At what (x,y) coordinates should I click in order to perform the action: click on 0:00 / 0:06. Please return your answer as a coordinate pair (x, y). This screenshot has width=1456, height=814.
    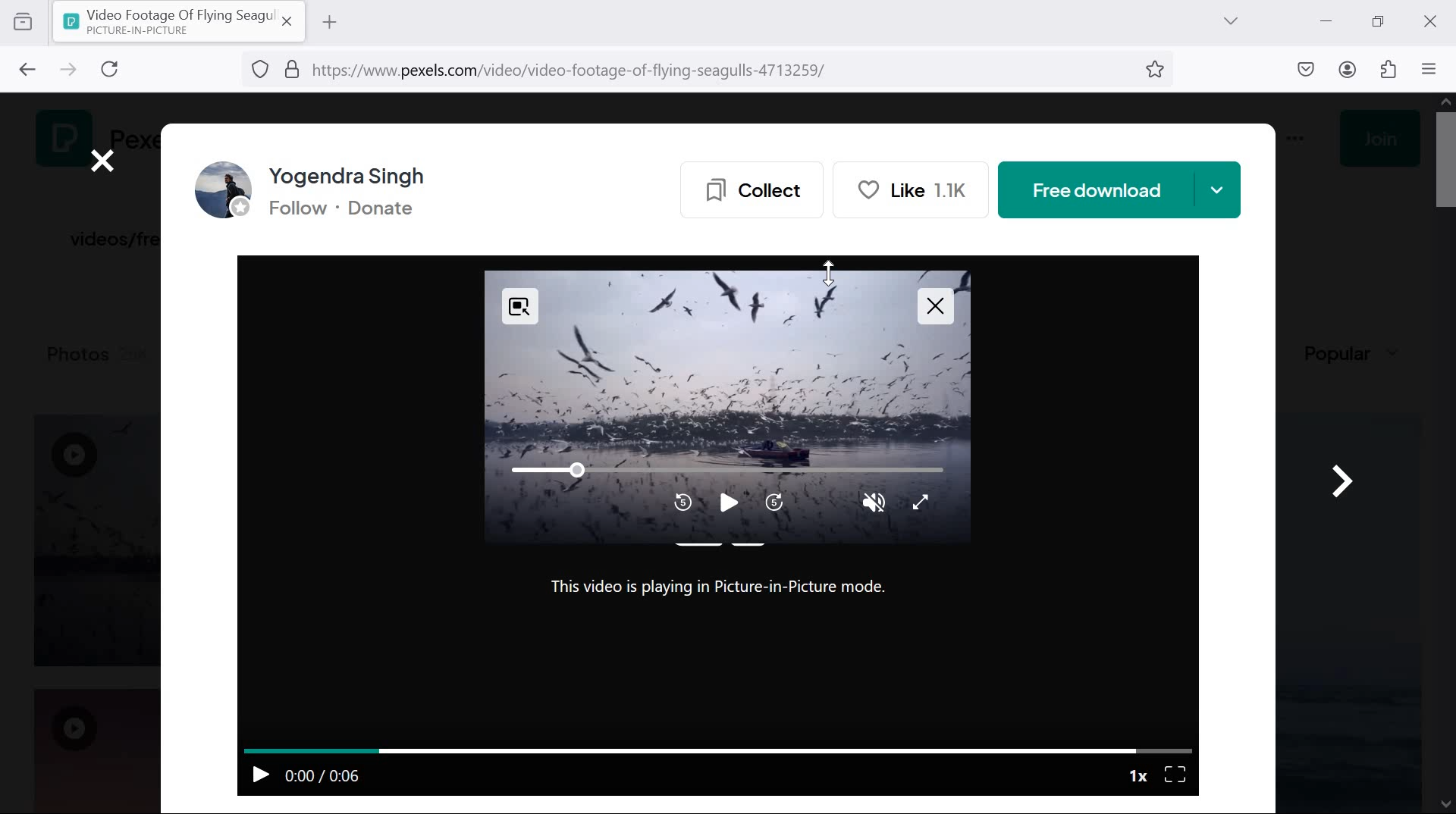
    Looking at the image, I should click on (327, 775).